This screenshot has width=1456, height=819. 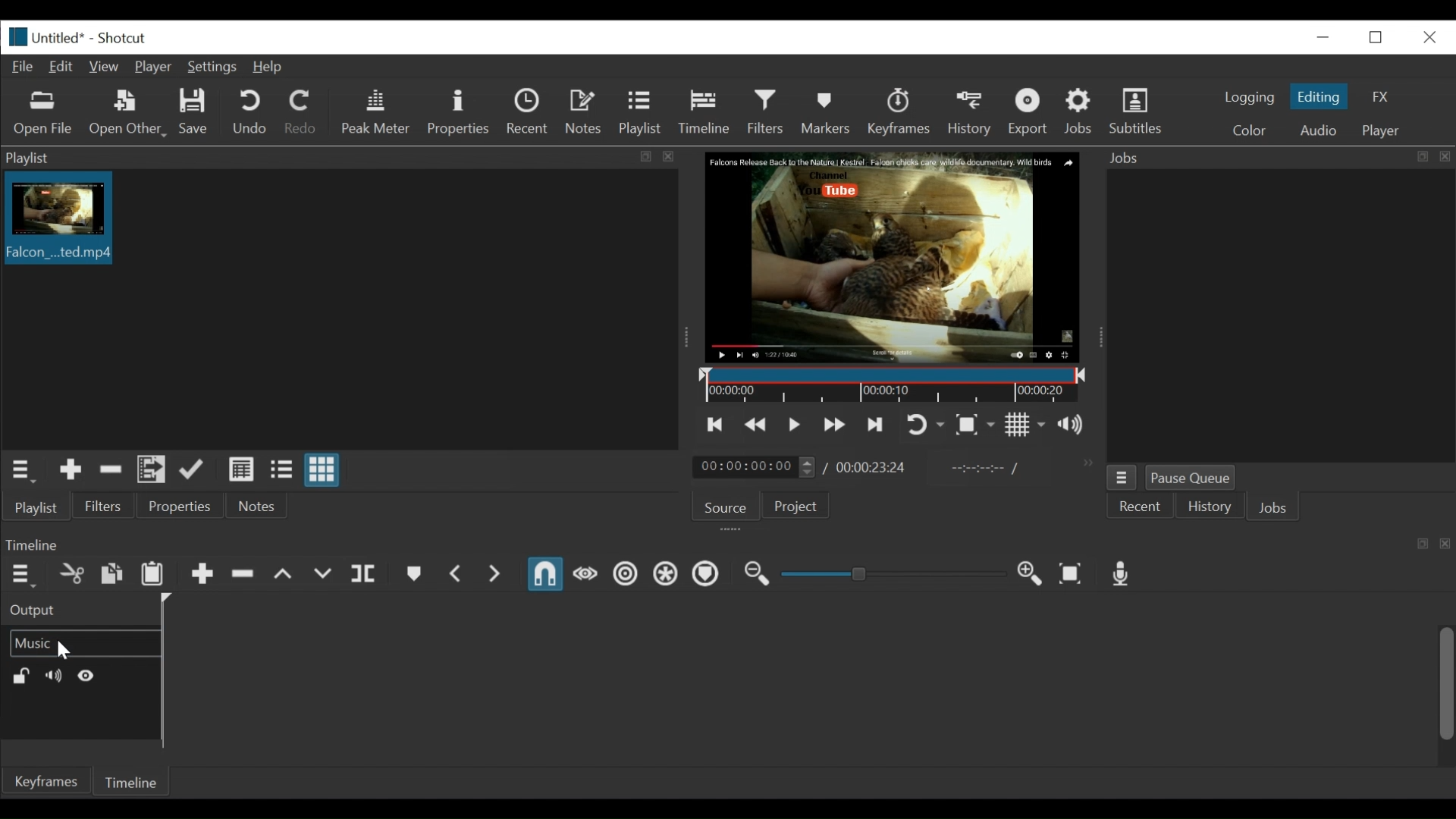 I want to click on Markers, so click(x=829, y=114).